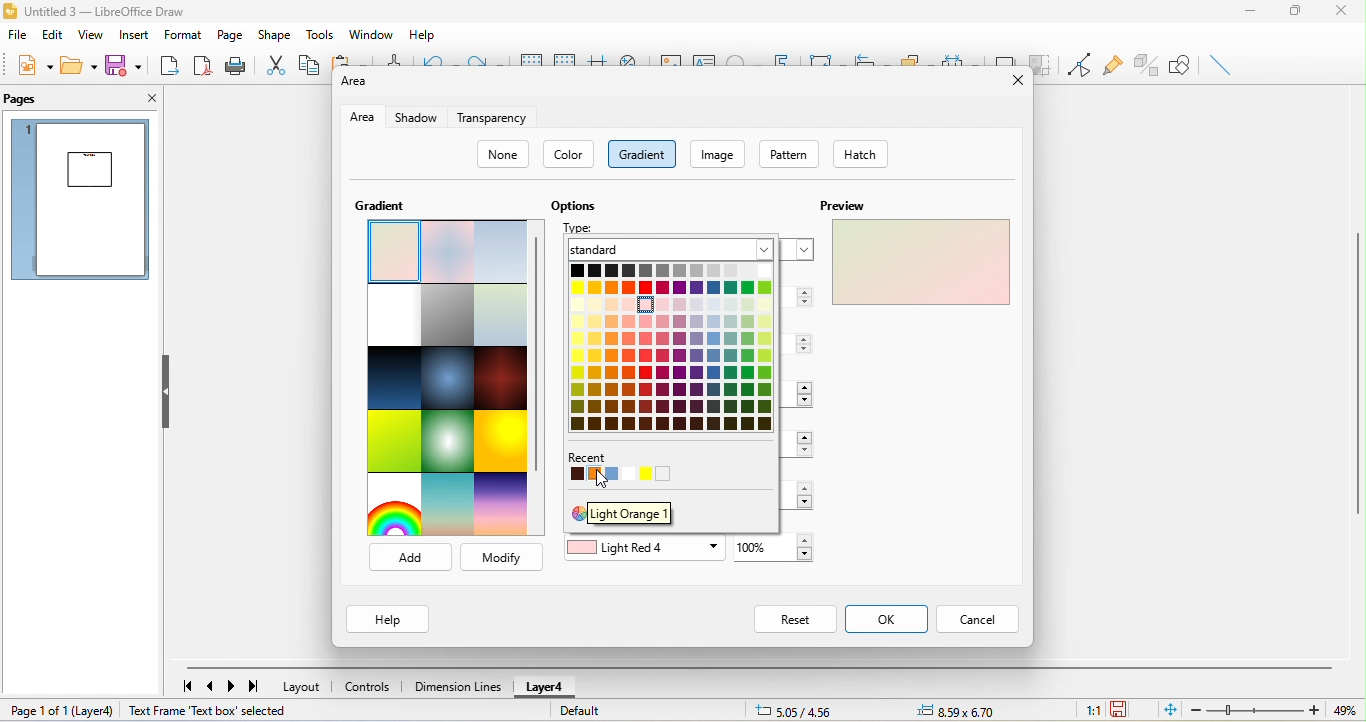  I want to click on submarine, so click(501, 316).